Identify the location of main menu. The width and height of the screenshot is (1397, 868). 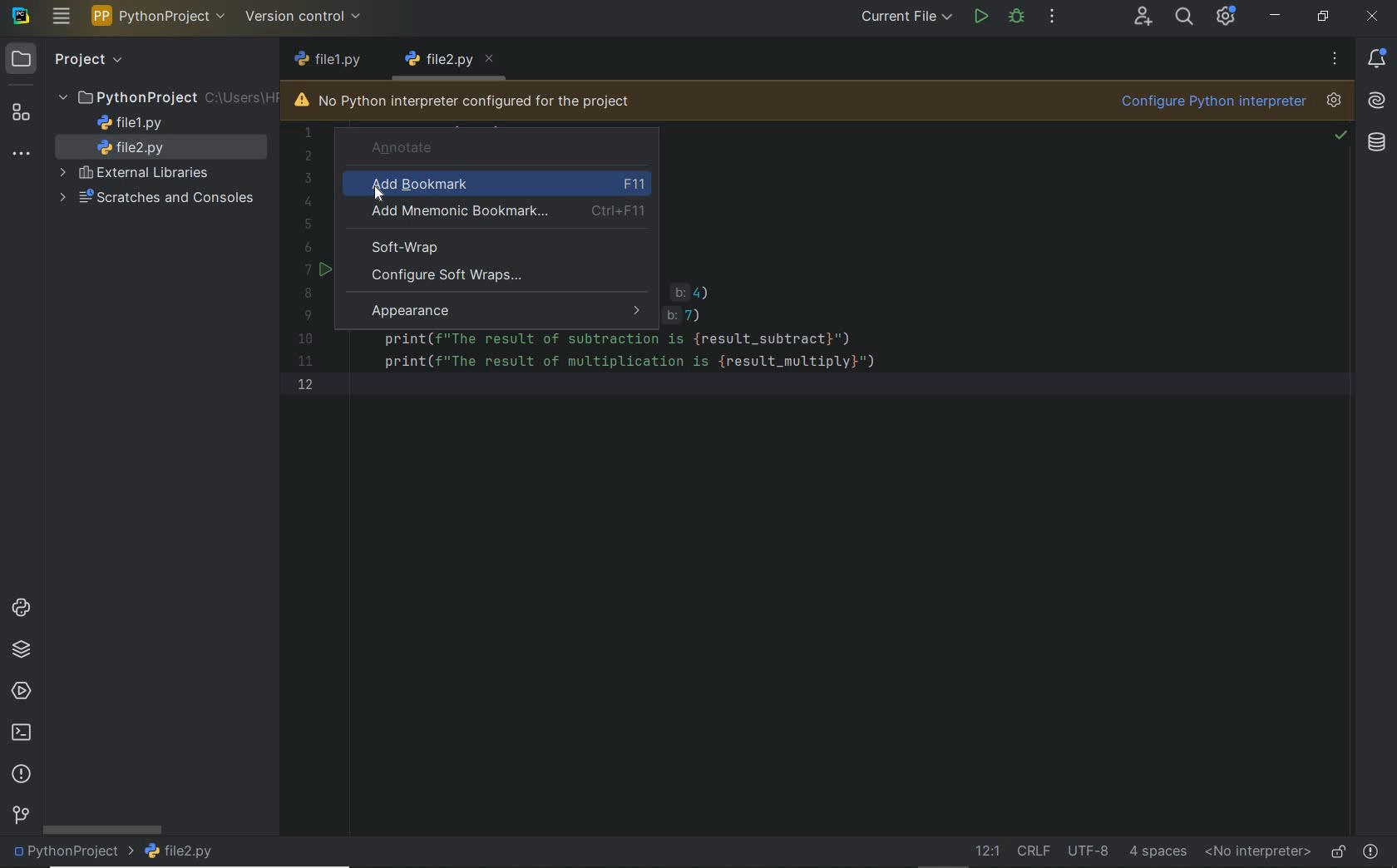
(62, 18).